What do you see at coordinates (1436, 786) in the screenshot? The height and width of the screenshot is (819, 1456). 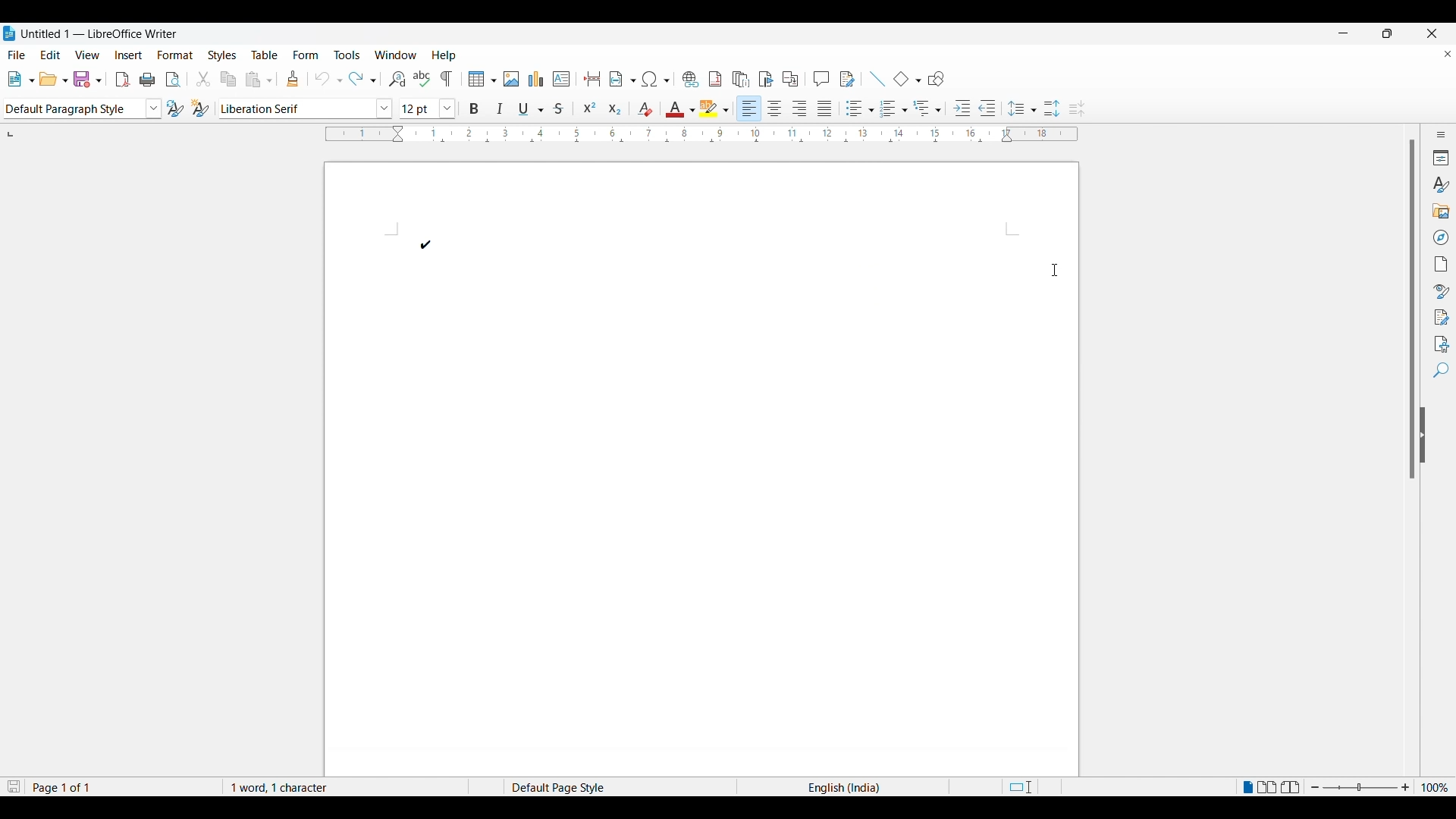 I see `100%` at bounding box center [1436, 786].